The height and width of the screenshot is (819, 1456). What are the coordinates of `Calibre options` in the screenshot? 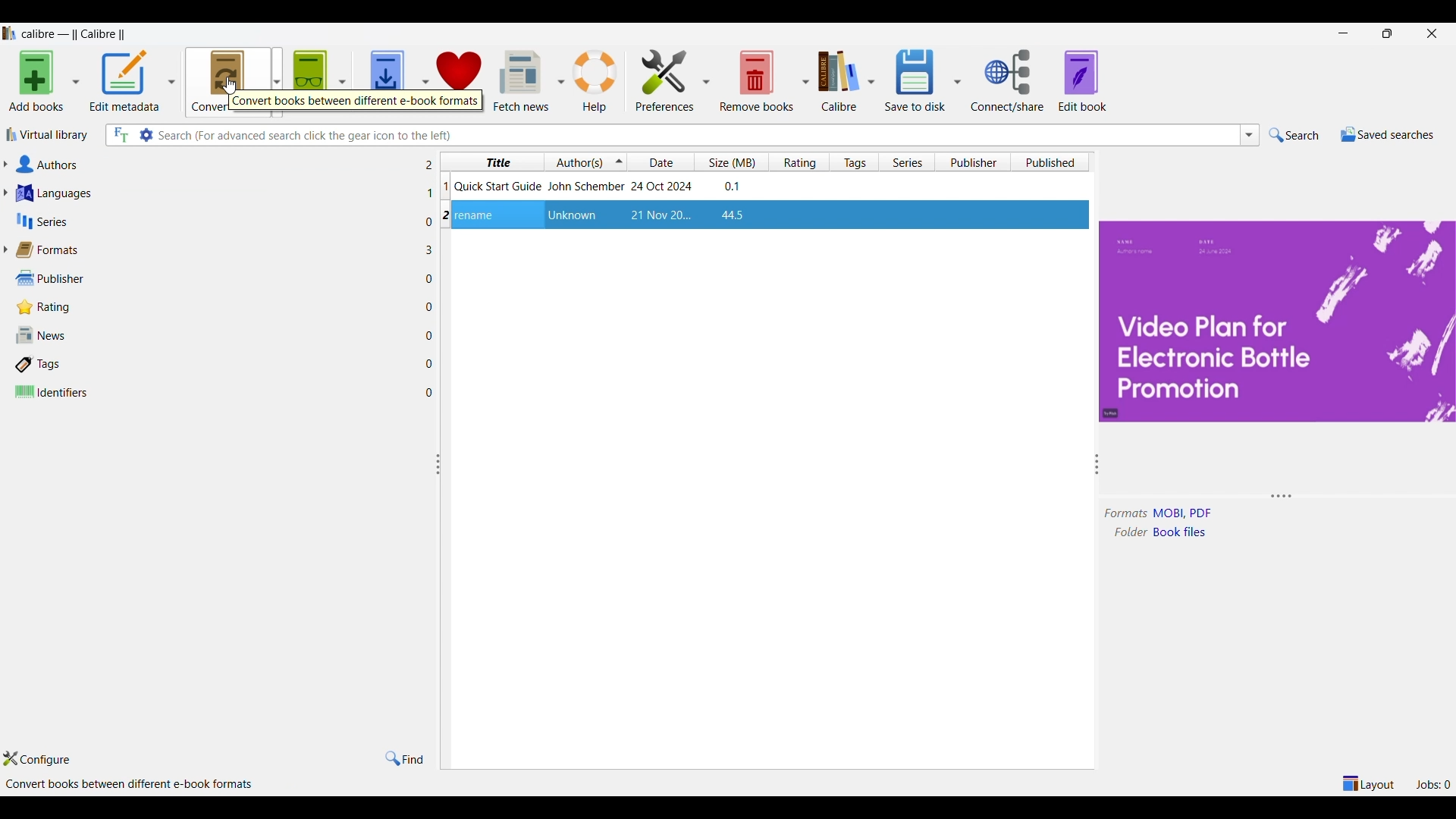 It's located at (871, 81).